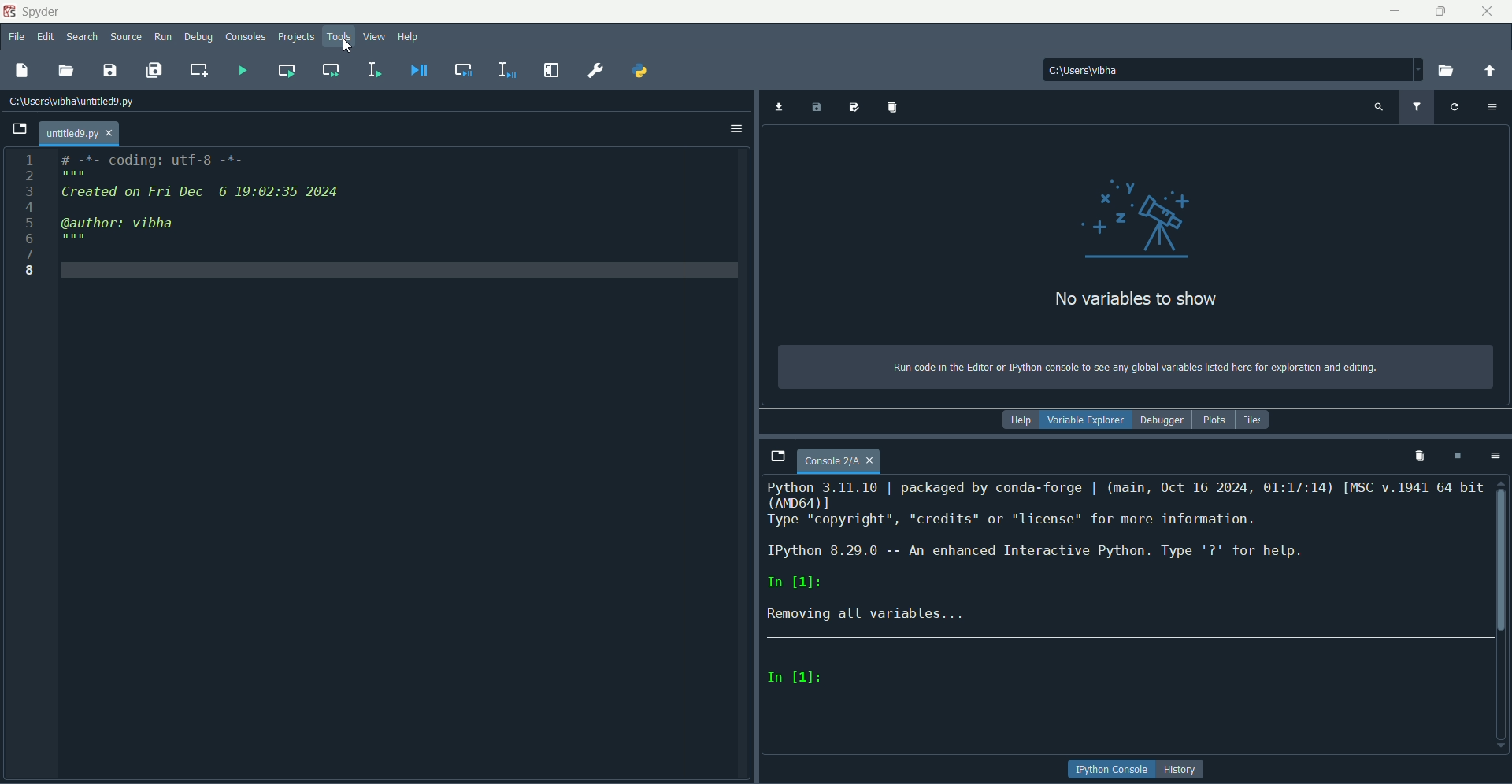 Image resolution: width=1512 pixels, height=784 pixels. I want to click on run current cell, so click(285, 70).